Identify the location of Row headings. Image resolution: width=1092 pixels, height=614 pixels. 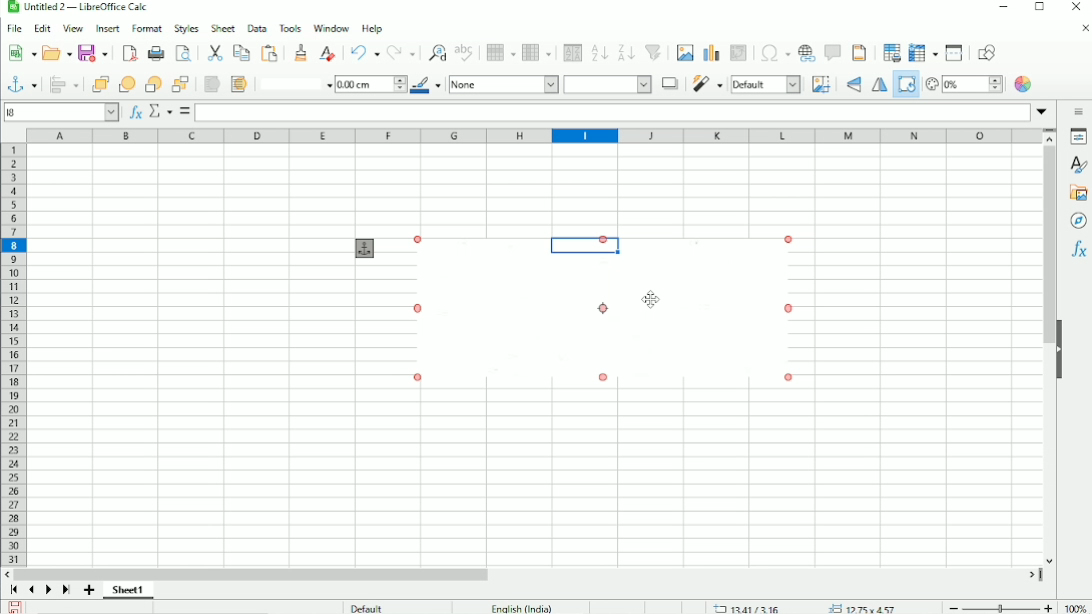
(14, 354).